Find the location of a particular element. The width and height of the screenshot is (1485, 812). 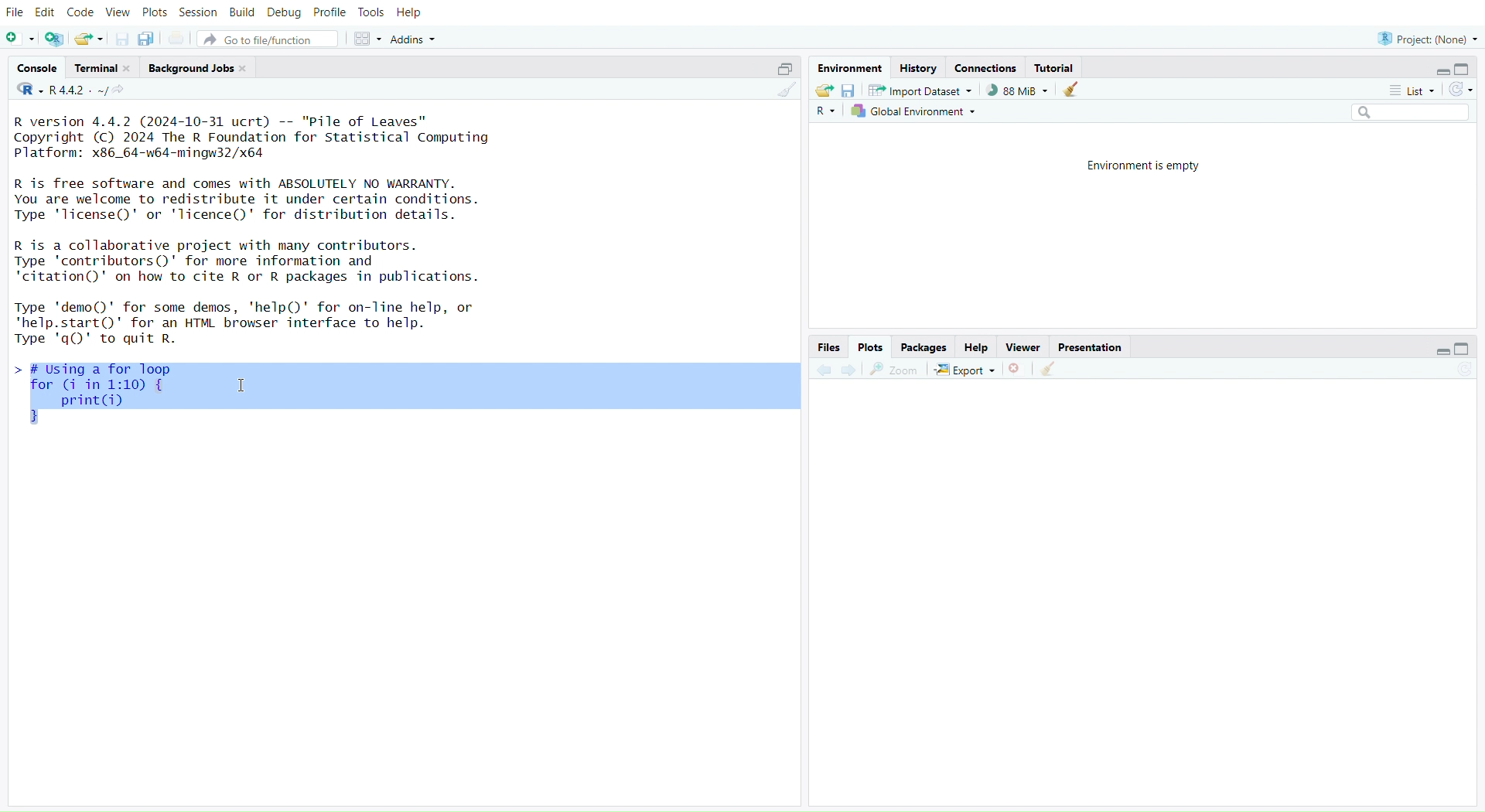

collapse is located at coordinates (1461, 350).